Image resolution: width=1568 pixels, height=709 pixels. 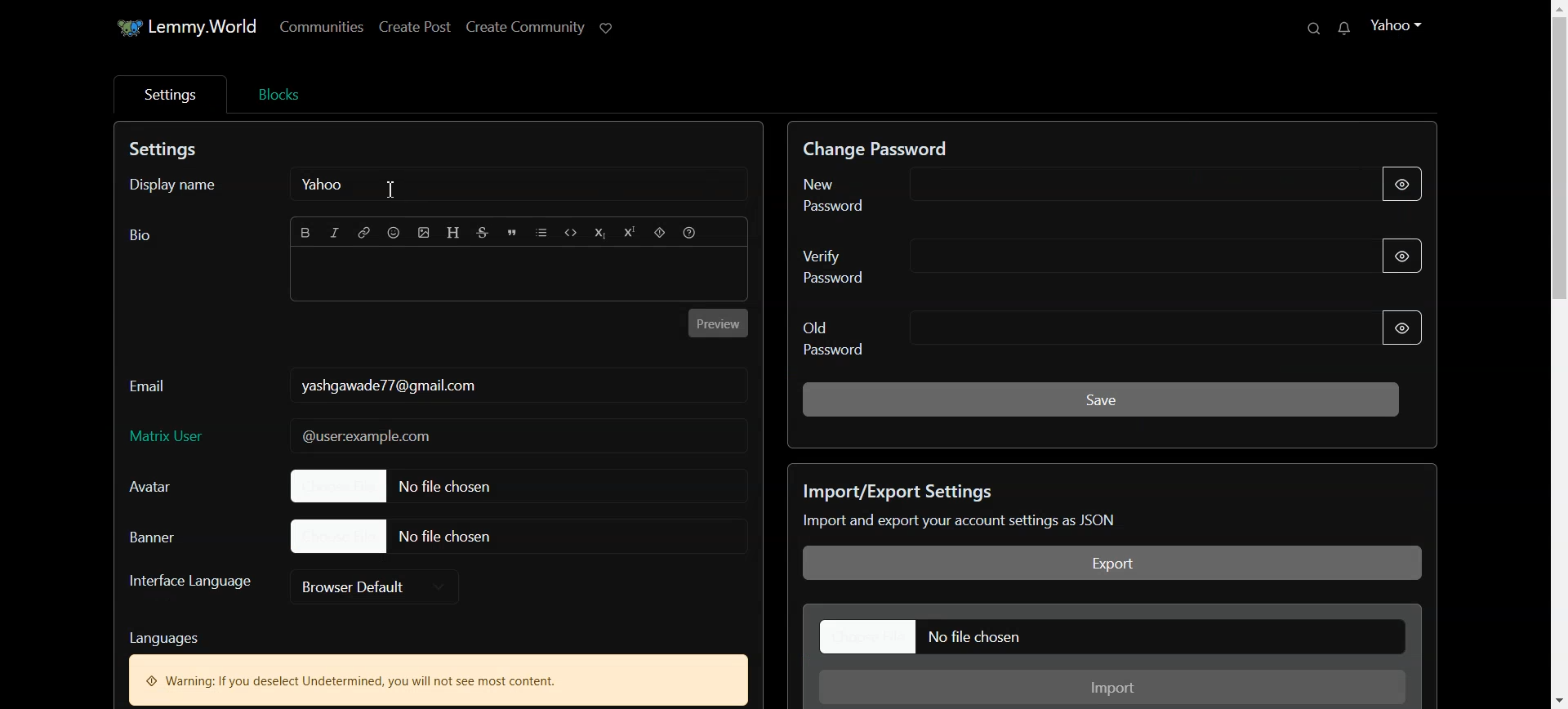 I want to click on , so click(x=324, y=188).